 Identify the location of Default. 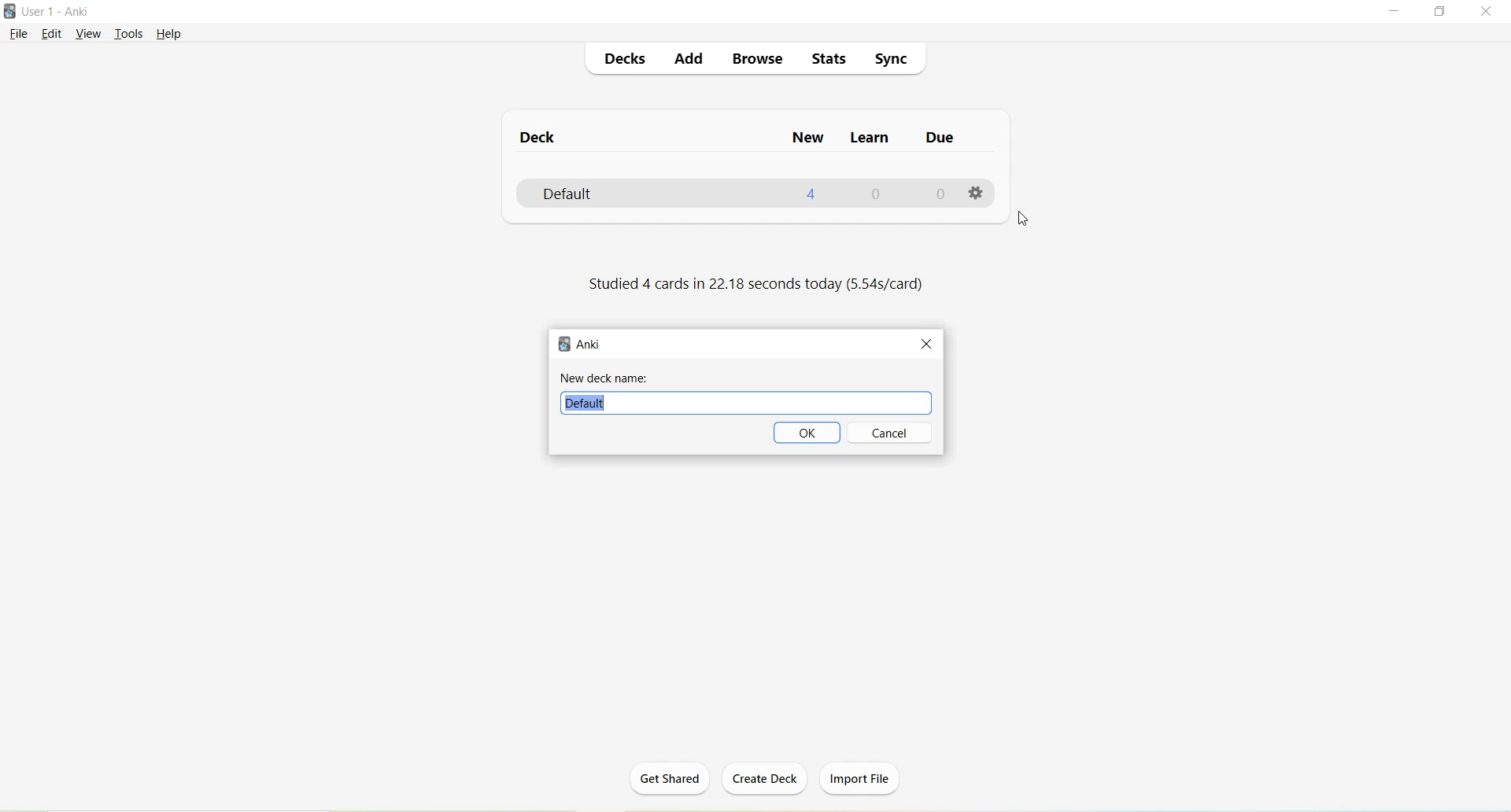
(747, 403).